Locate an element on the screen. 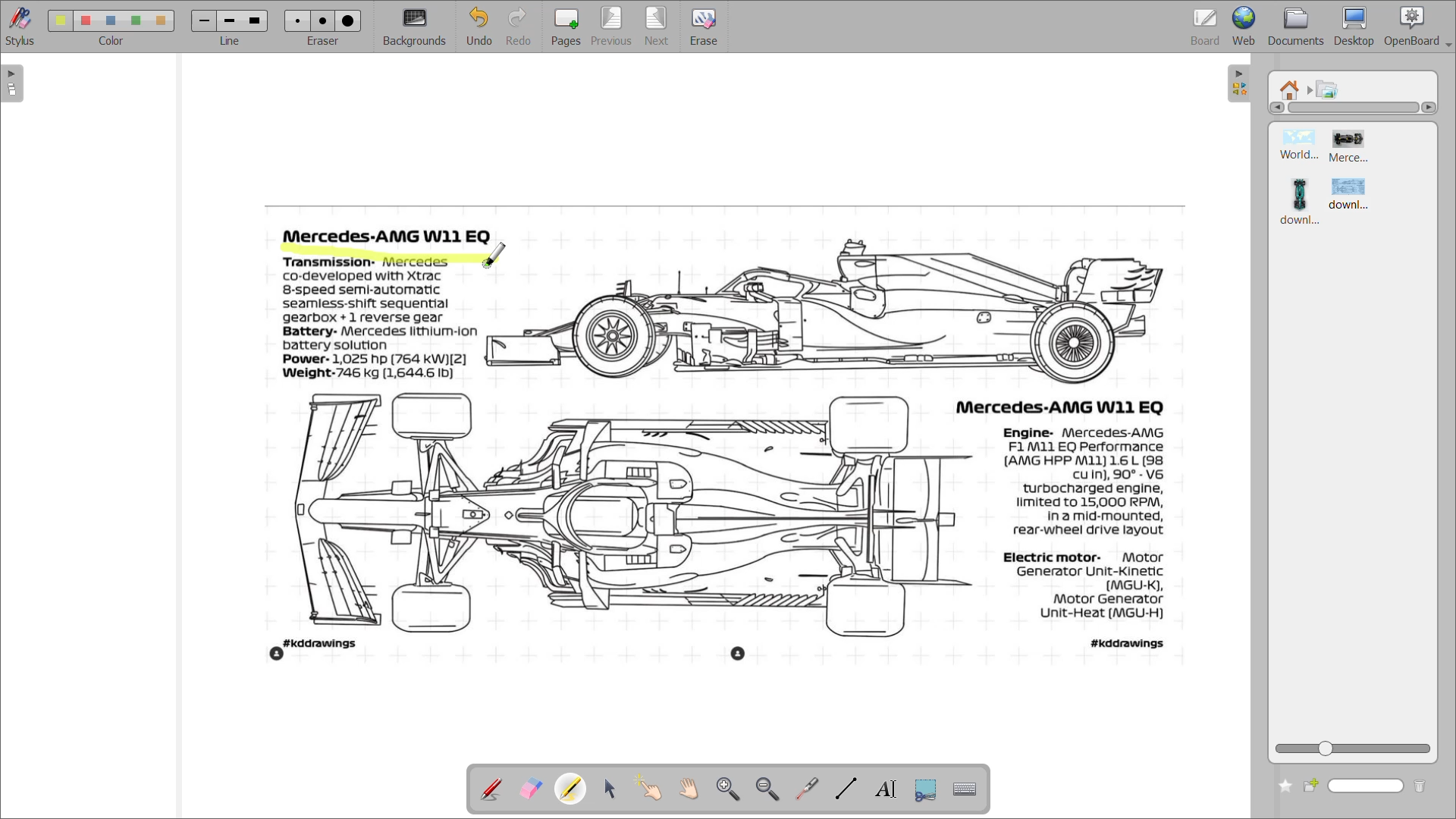 The height and width of the screenshot is (819, 1456). virtual pointer is located at coordinates (808, 789).